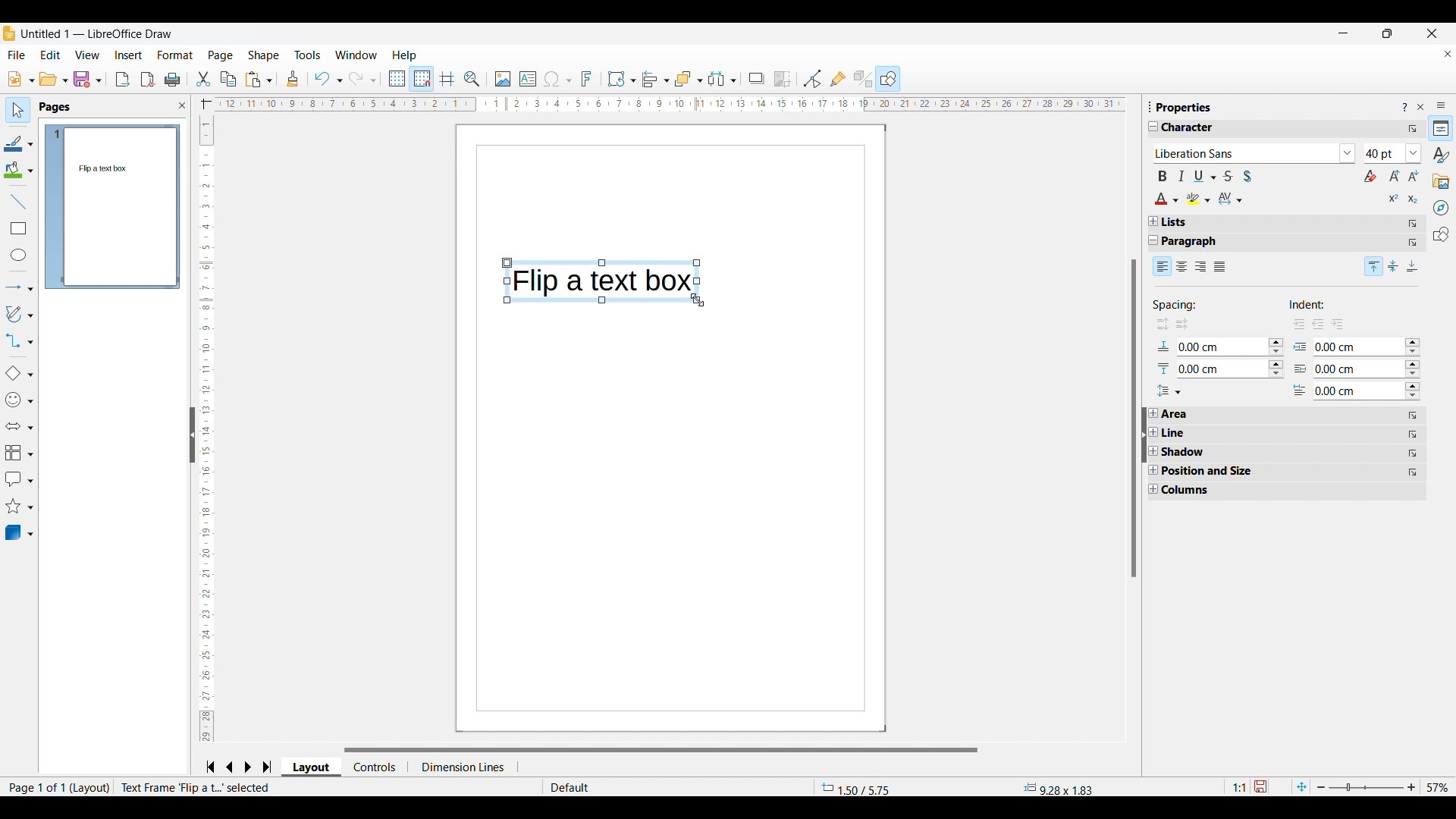  Describe the element at coordinates (557, 80) in the screenshot. I see `Insert special character options` at that location.